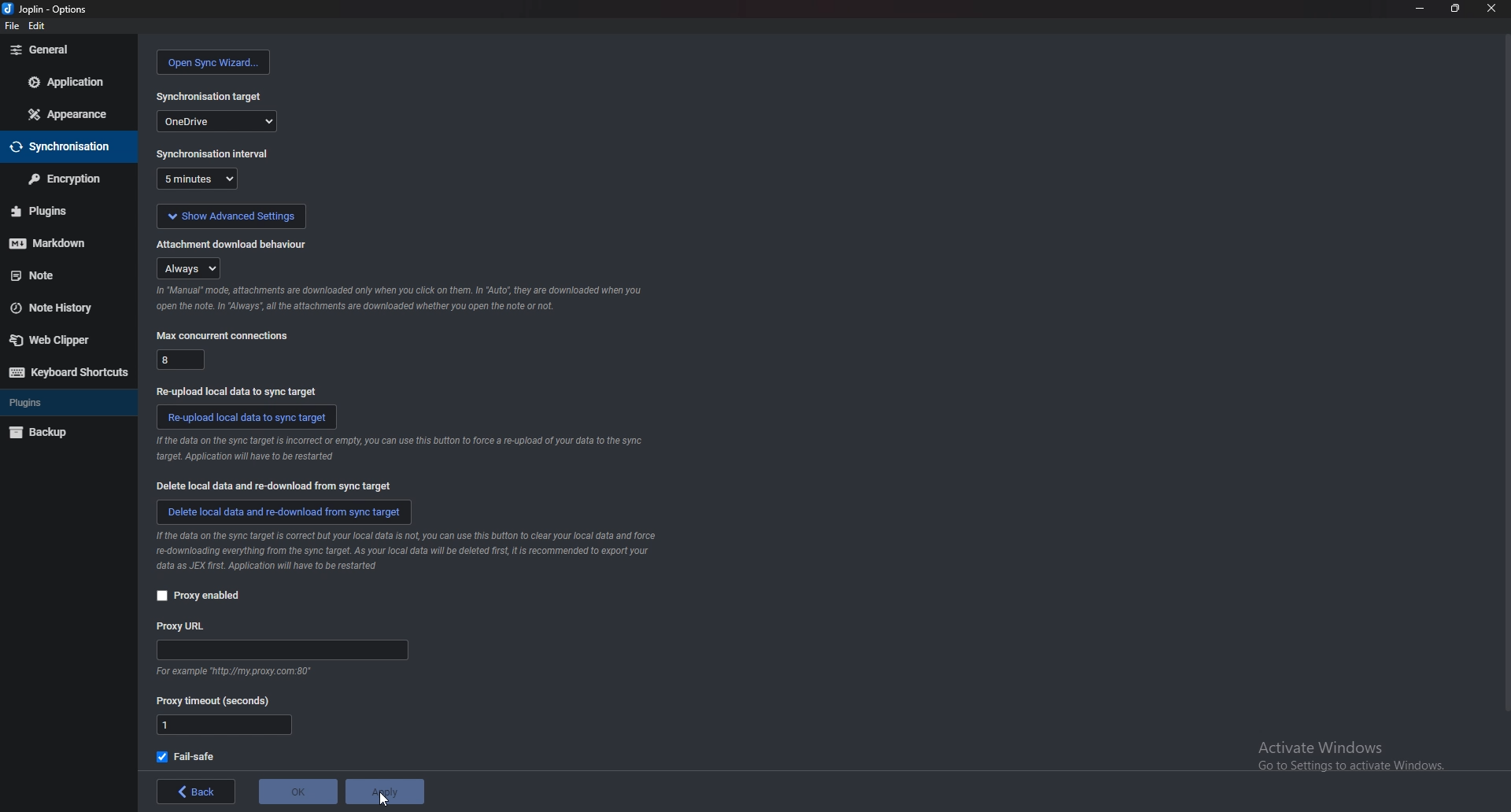  What do you see at coordinates (218, 699) in the screenshot?
I see `proxy timeout` at bounding box center [218, 699].